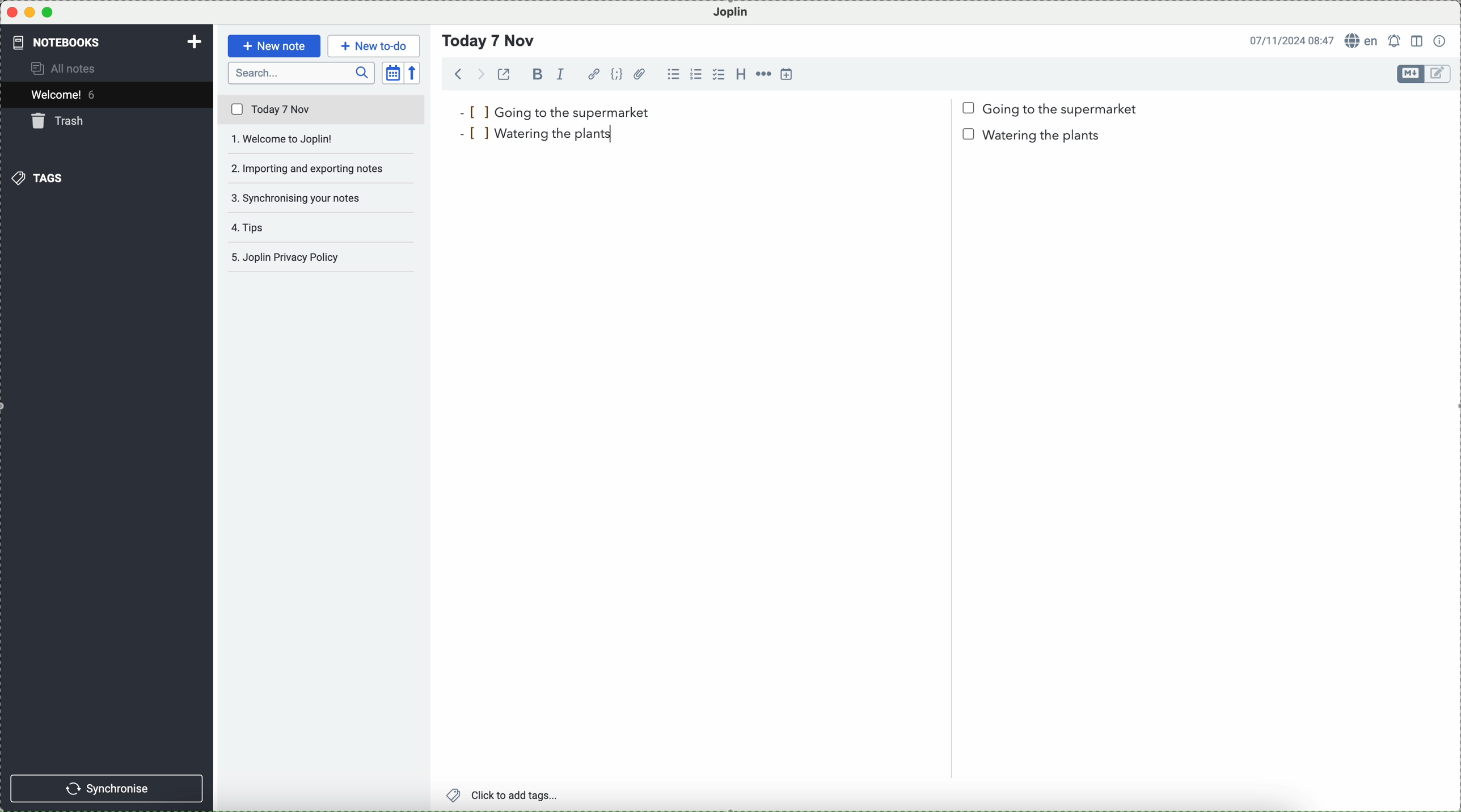 Image resolution: width=1461 pixels, height=812 pixels. I want to click on search bar, so click(302, 73).